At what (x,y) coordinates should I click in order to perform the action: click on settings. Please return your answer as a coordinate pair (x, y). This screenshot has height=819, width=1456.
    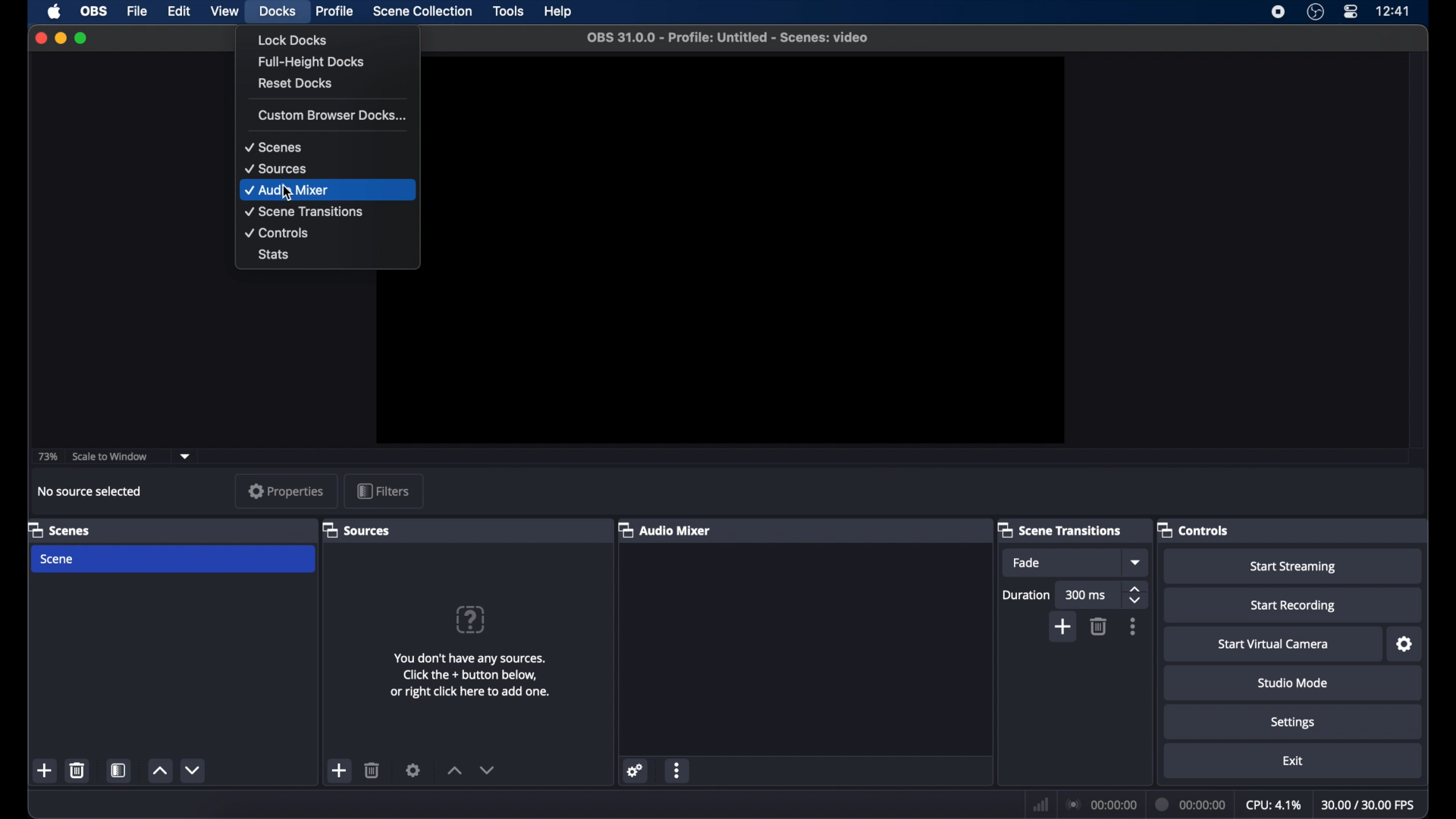
    Looking at the image, I should click on (1405, 645).